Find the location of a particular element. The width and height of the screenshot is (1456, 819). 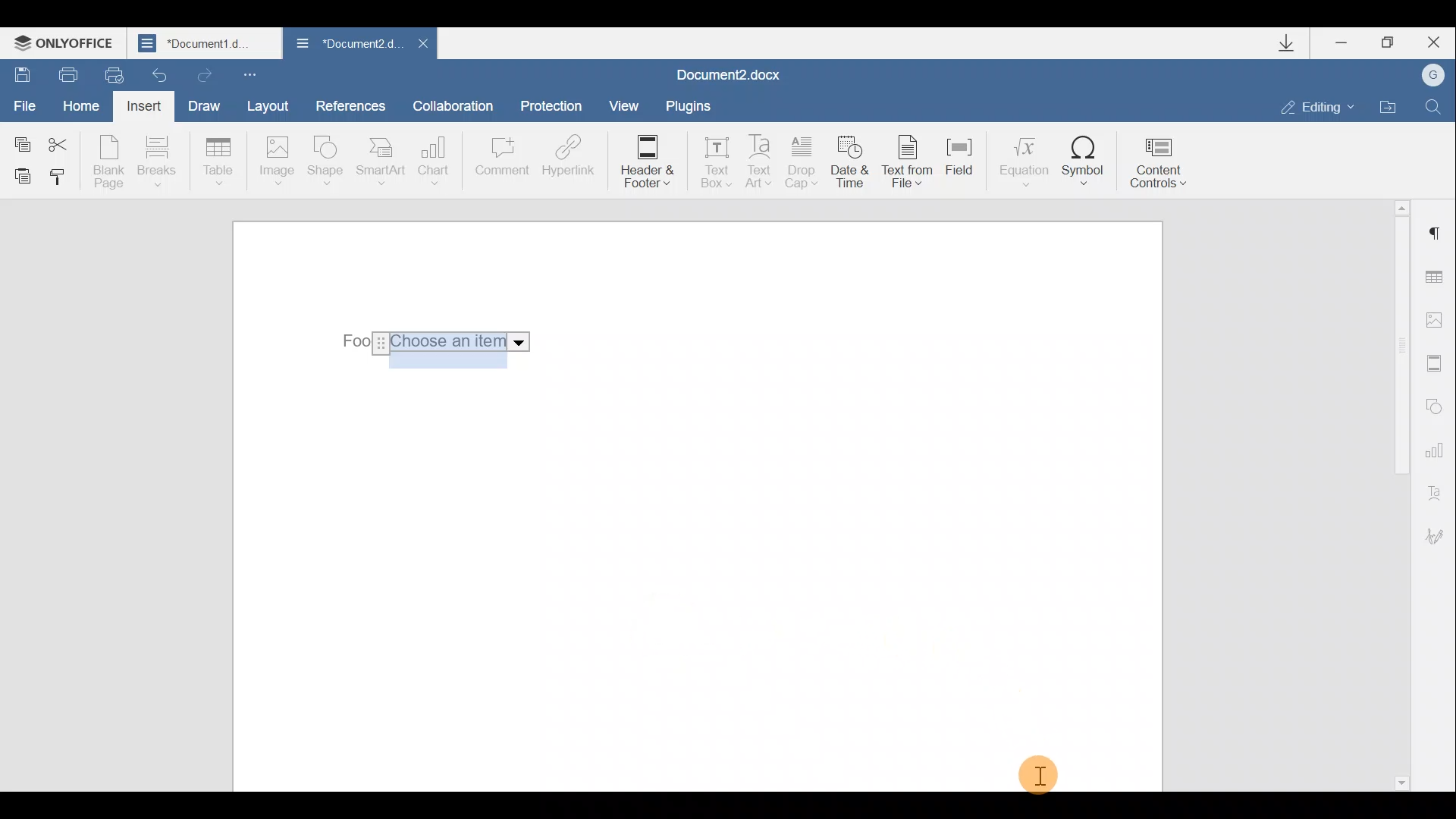

Document2.docx is located at coordinates (730, 73).